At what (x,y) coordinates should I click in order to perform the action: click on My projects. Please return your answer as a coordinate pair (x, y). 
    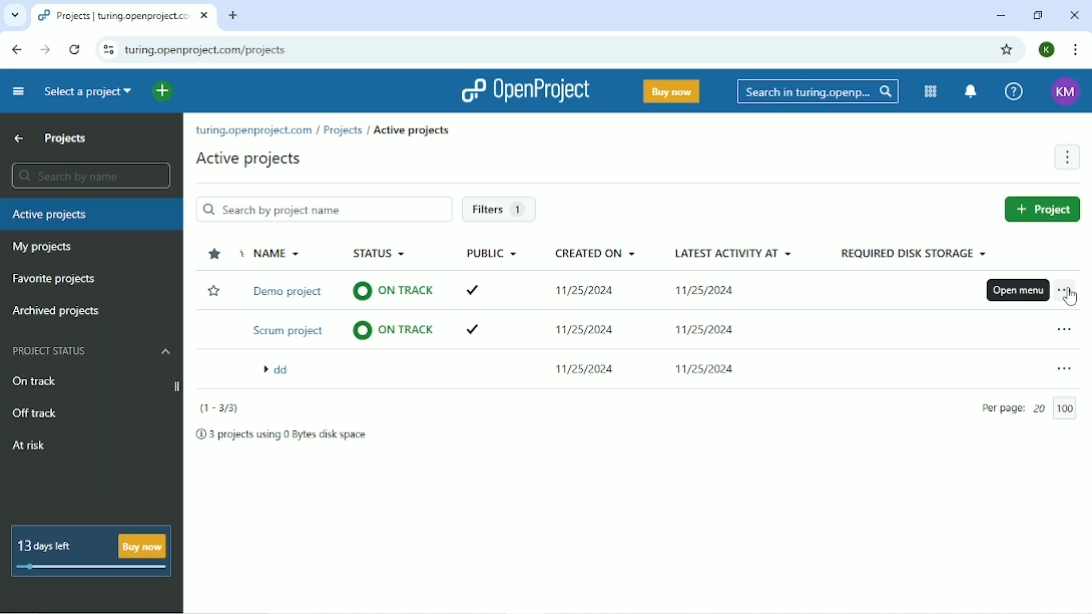
    Looking at the image, I should click on (44, 248).